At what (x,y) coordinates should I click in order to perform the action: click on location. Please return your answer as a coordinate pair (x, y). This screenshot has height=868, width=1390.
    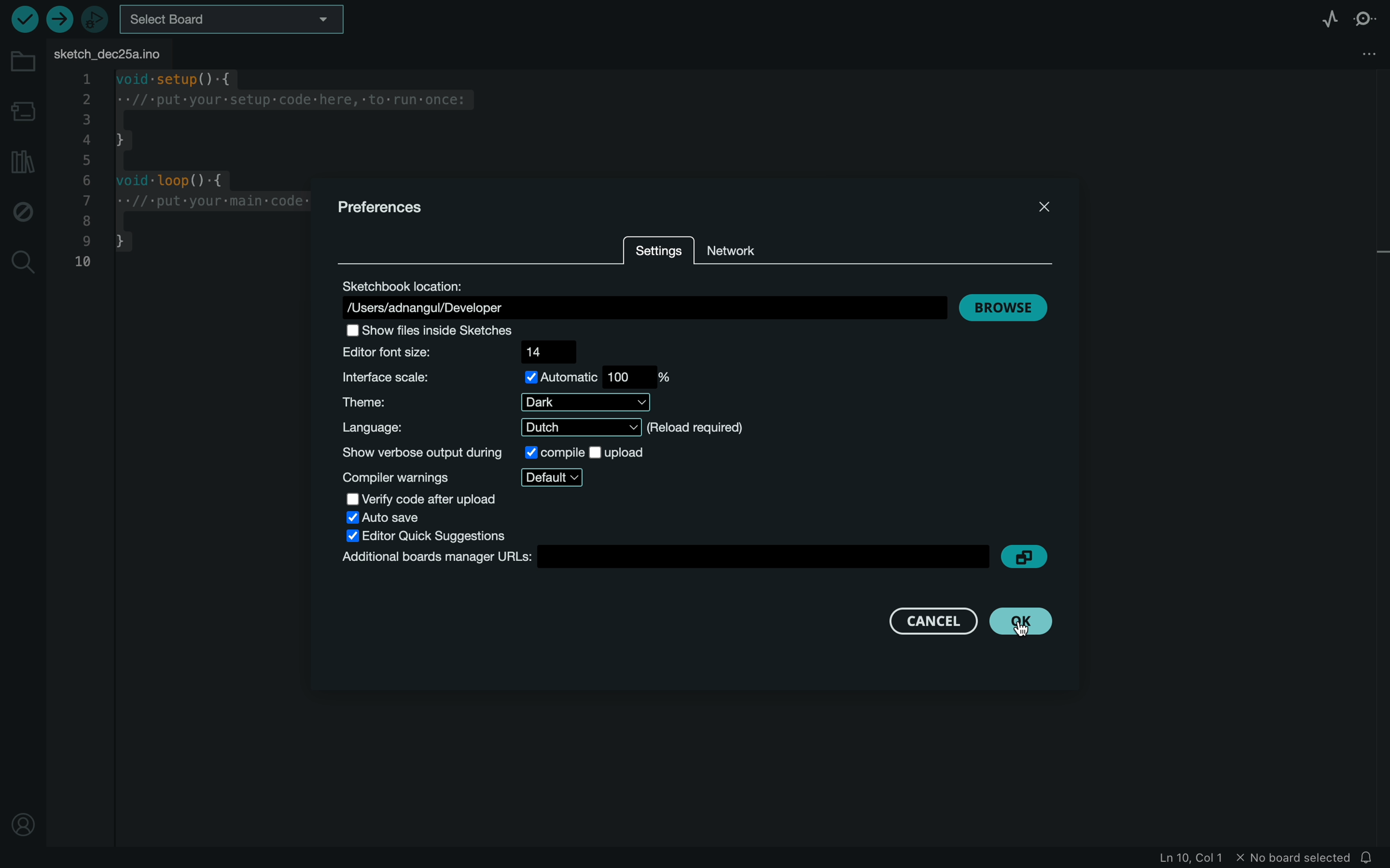
    Looking at the image, I should click on (646, 297).